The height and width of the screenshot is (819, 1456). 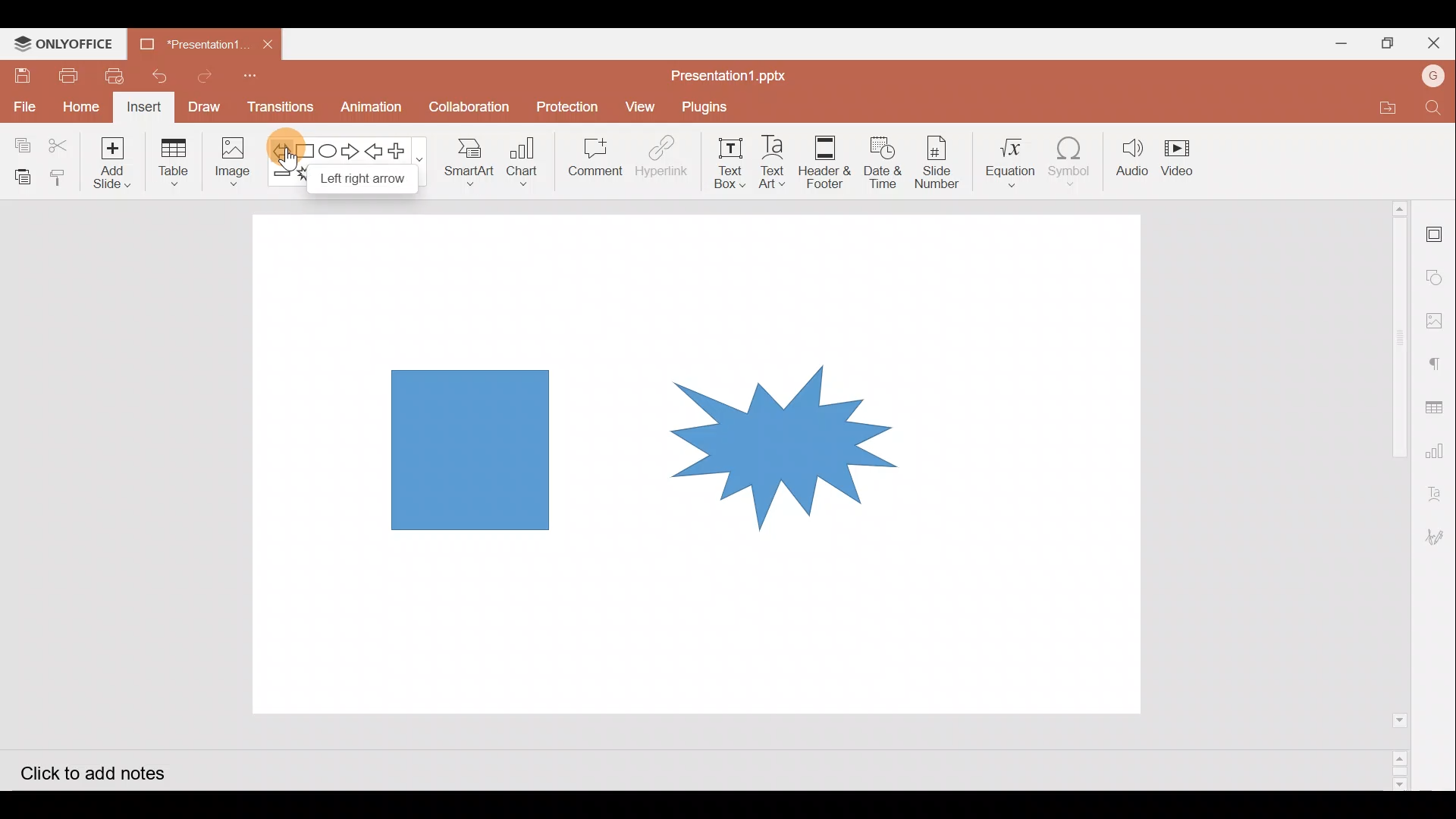 I want to click on Minimize, so click(x=1335, y=42).